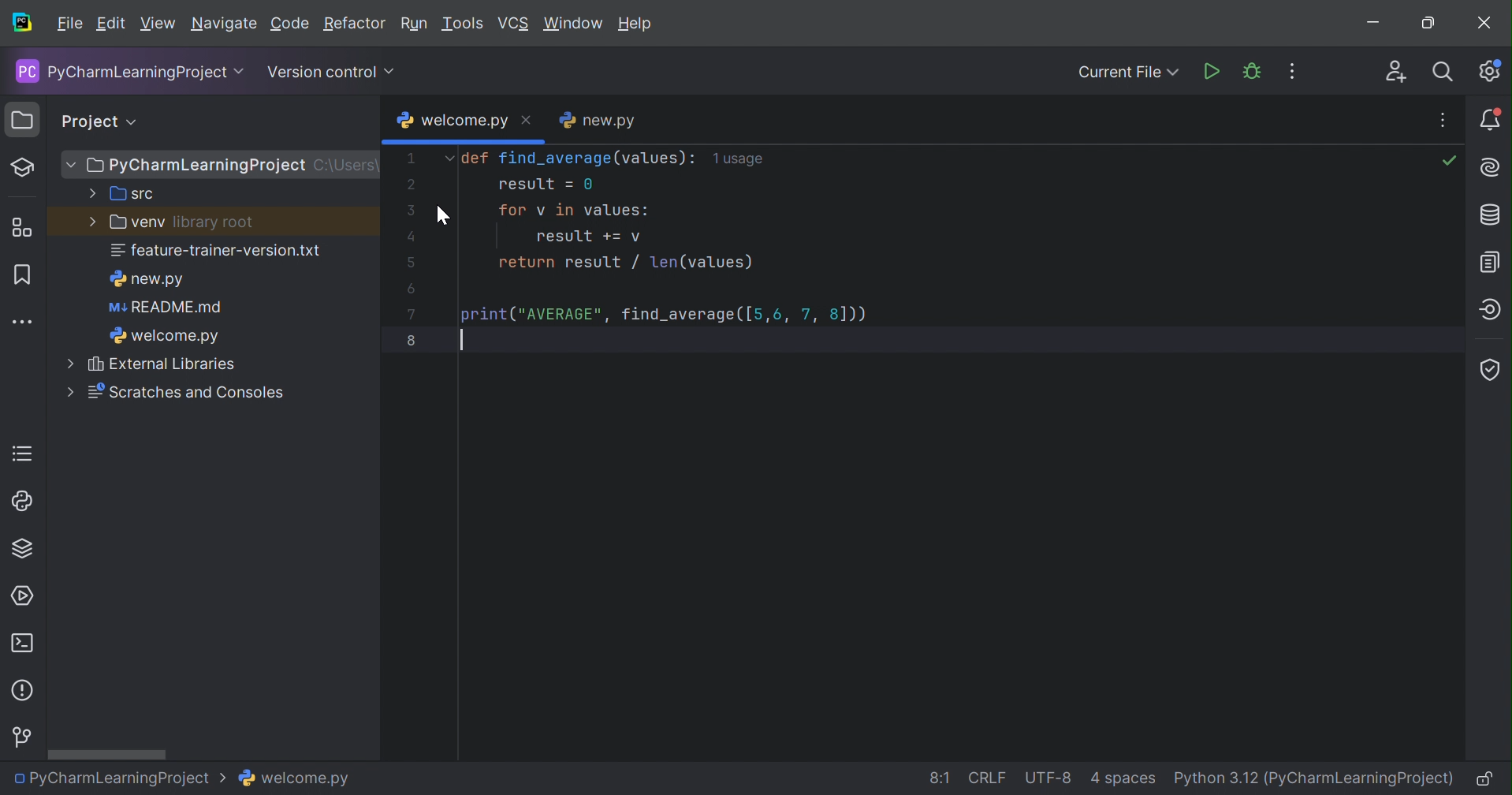 The image size is (1512, 795). Describe the element at coordinates (1050, 777) in the screenshot. I see `UTF-8` at that location.